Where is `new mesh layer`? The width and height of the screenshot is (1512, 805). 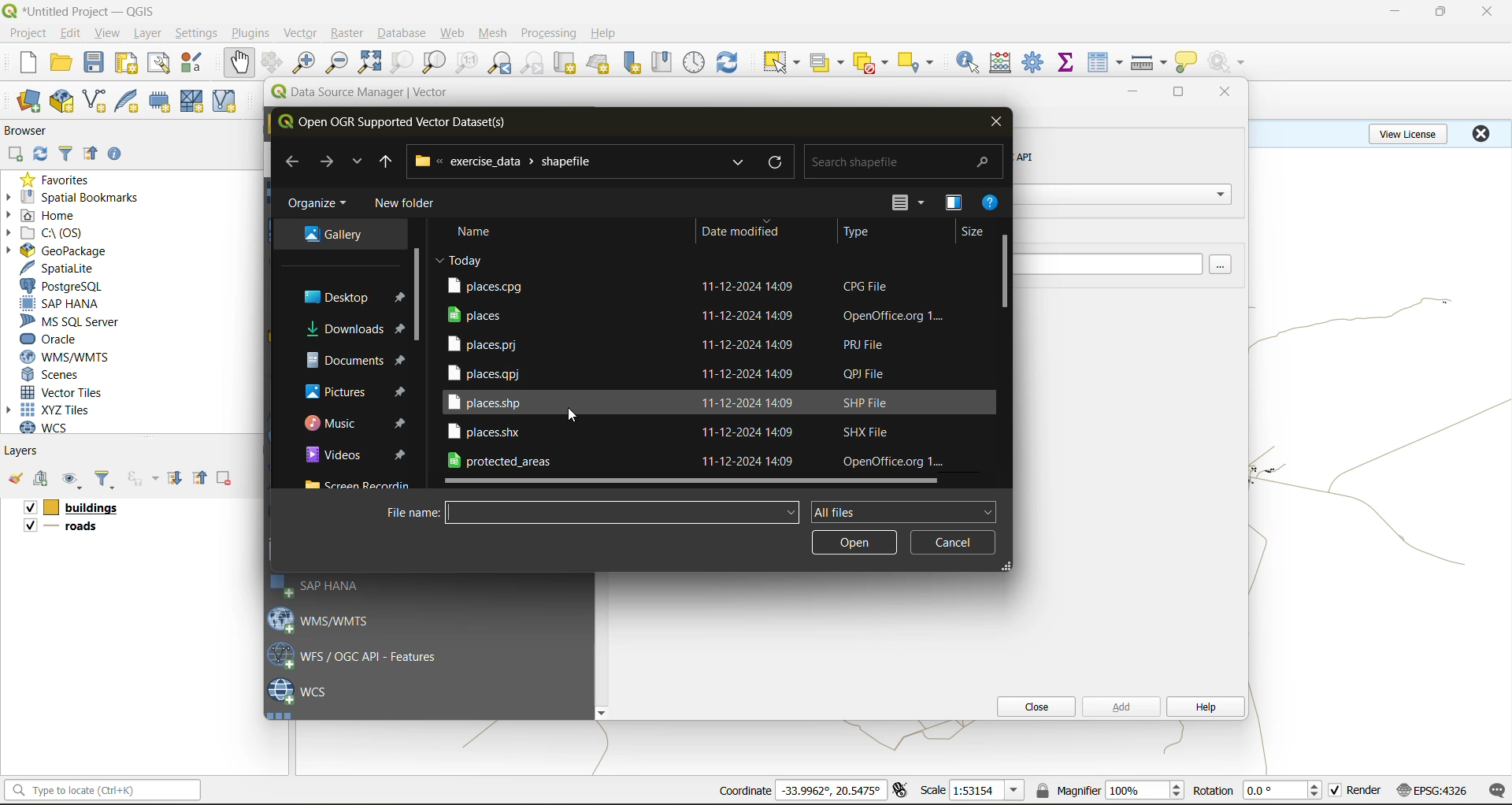
new mesh layer is located at coordinates (195, 103).